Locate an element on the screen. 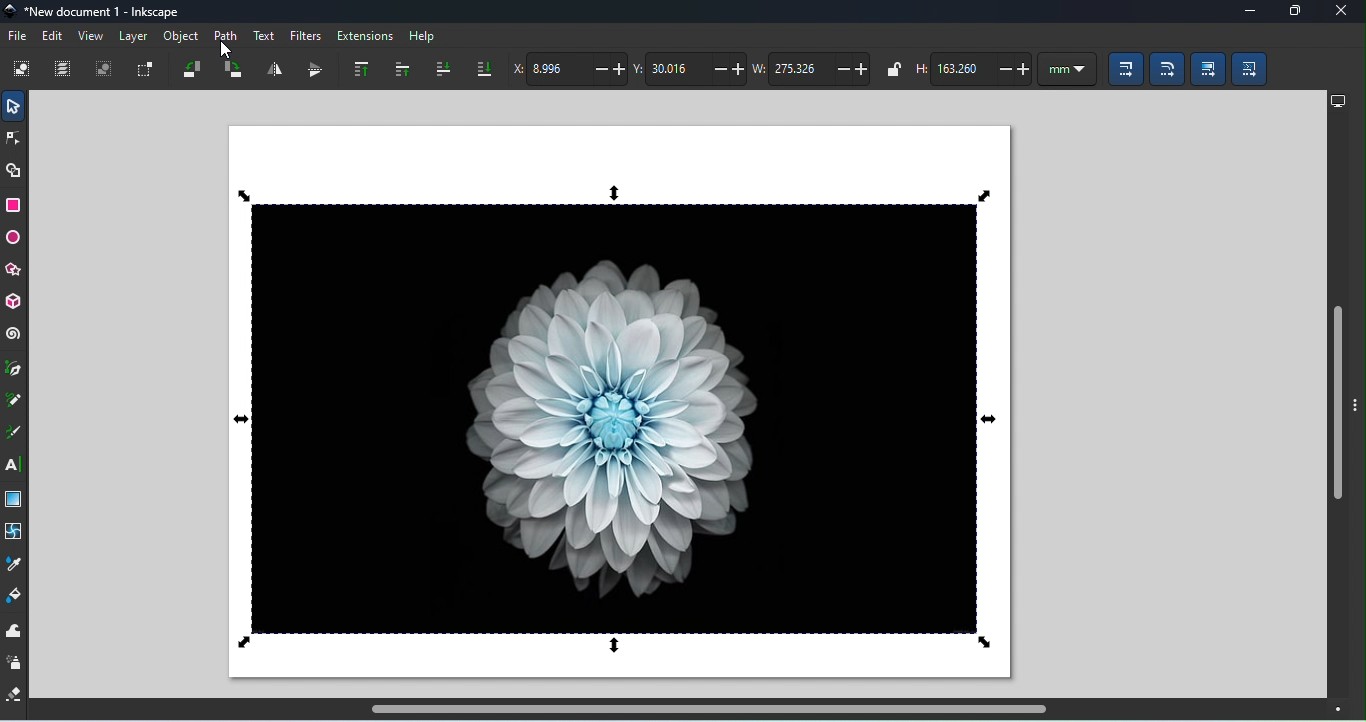  Display options is located at coordinates (1338, 101).